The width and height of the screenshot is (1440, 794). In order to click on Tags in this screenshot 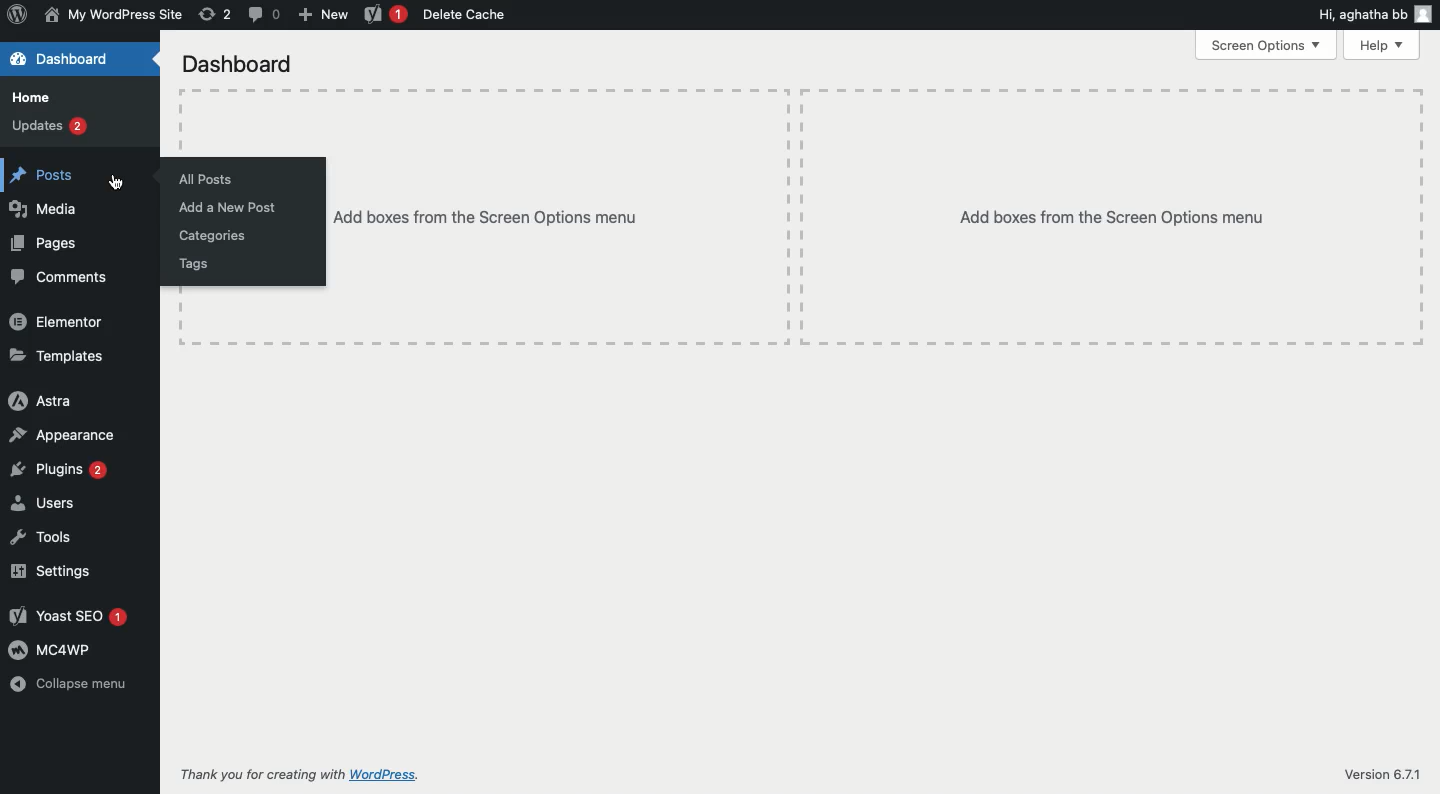, I will do `click(194, 263)`.